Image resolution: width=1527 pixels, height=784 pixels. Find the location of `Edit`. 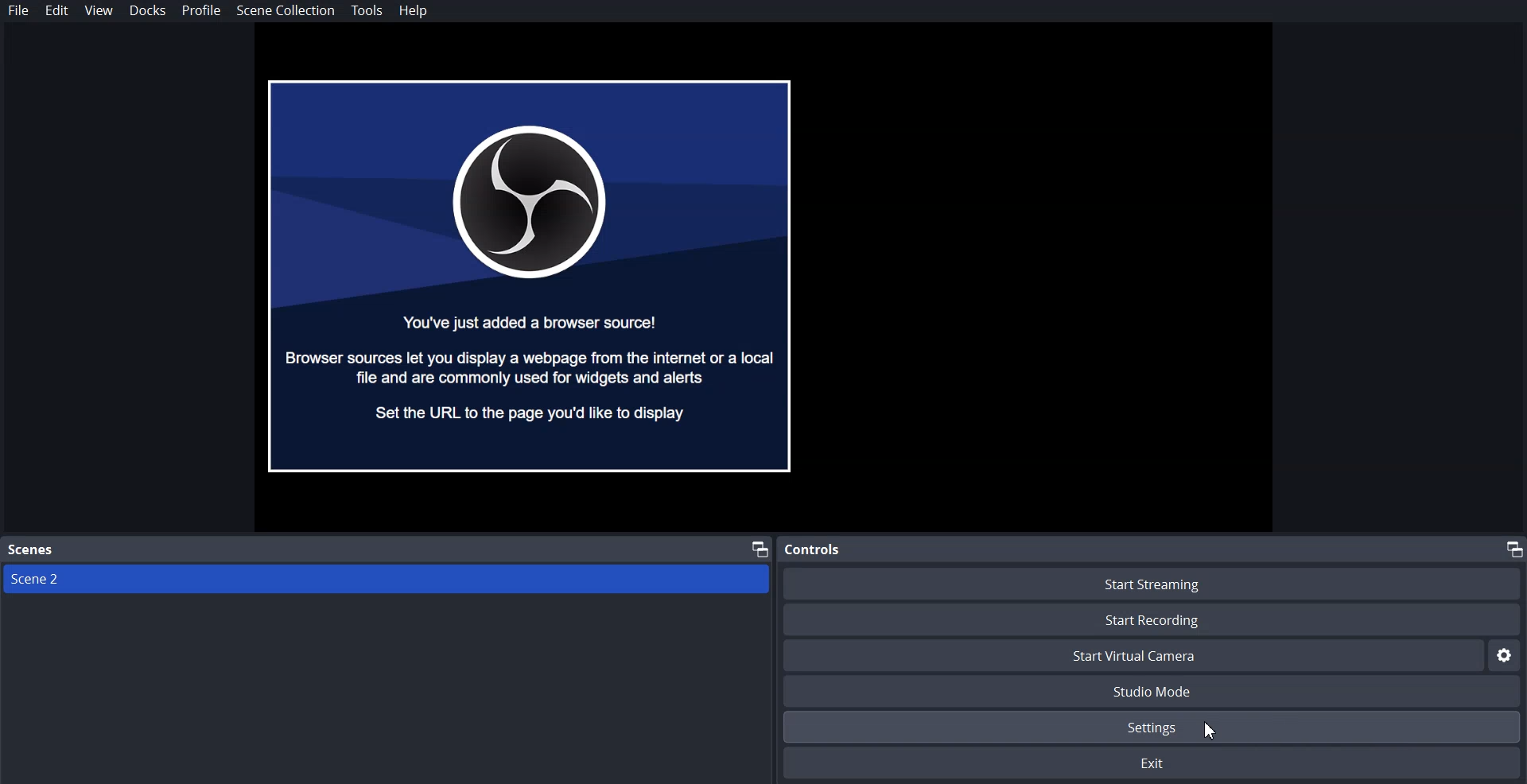

Edit is located at coordinates (59, 10).